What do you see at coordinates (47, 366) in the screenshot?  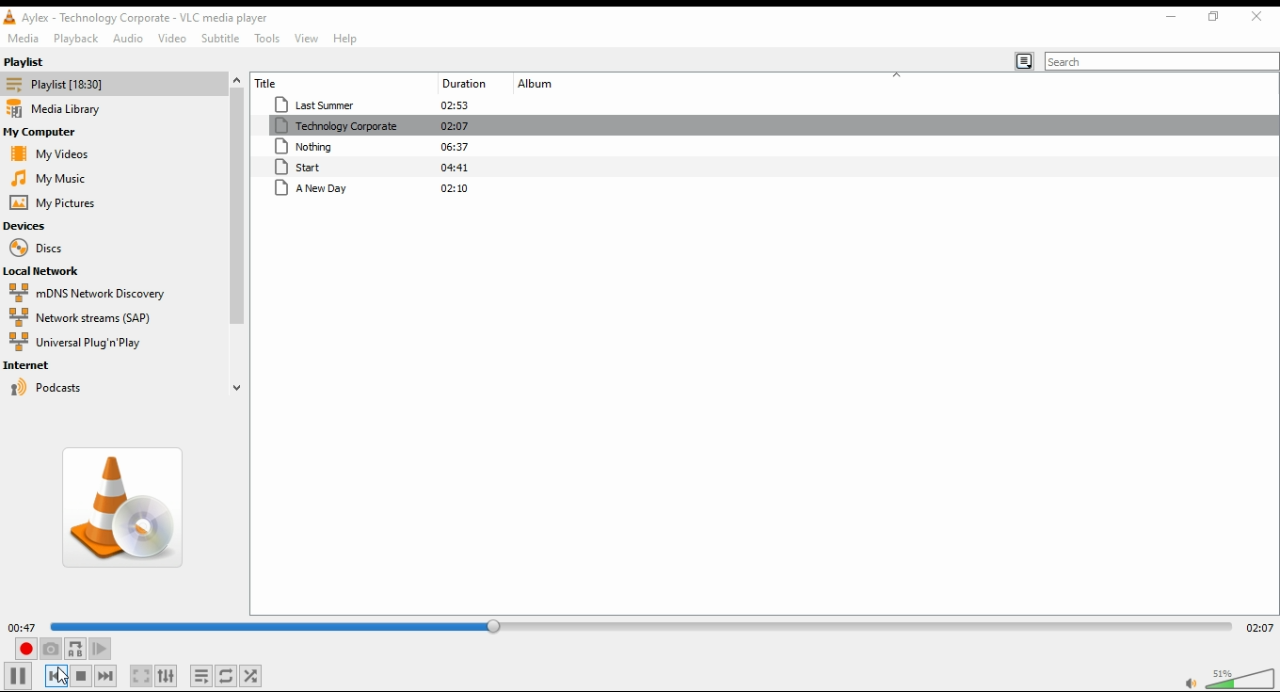 I see `internet` at bounding box center [47, 366].